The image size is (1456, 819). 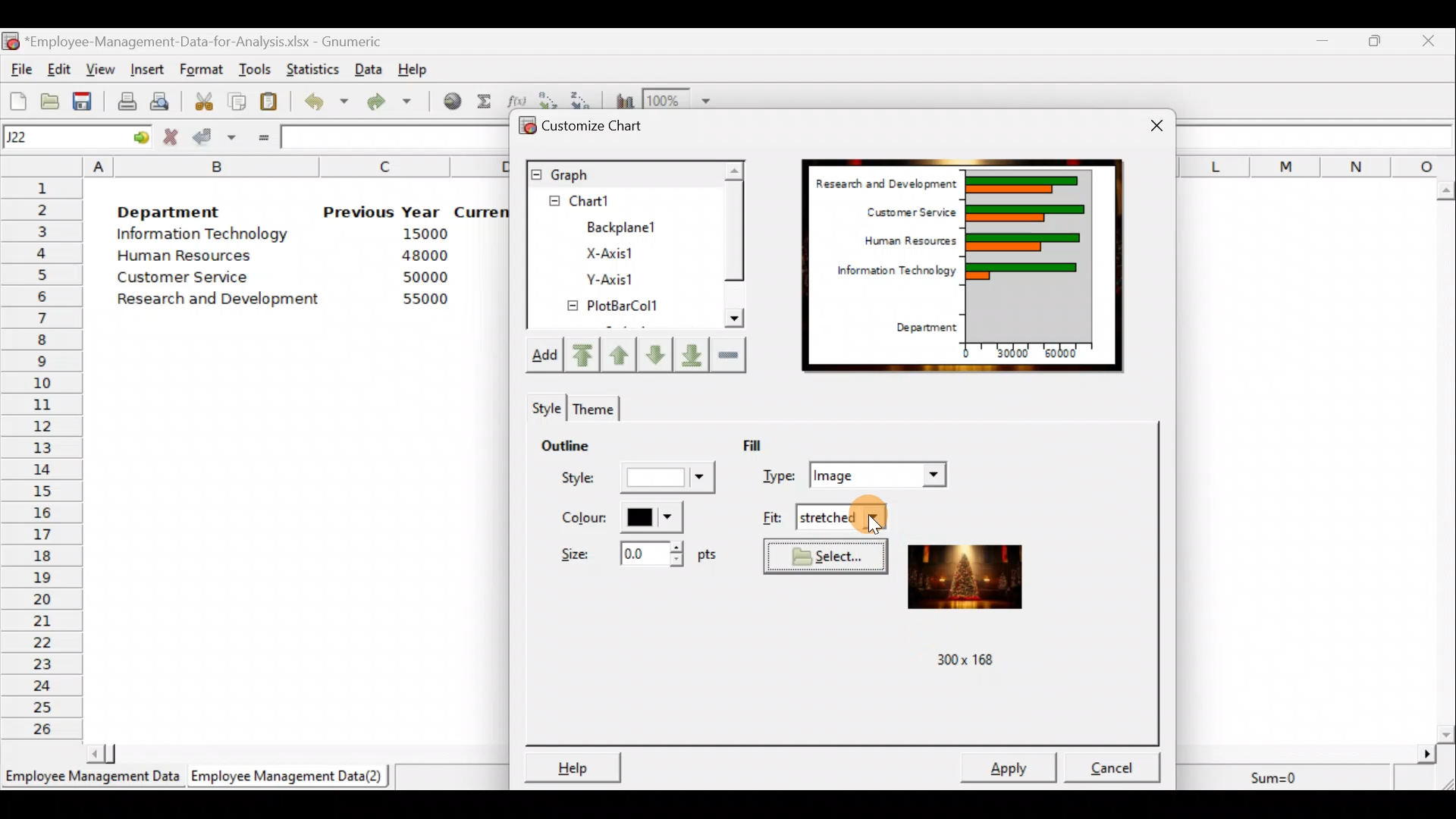 What do you see at coordinates (591, 124) in the screenshot?
I see `Customize chart` at bounding box center [591, 124].